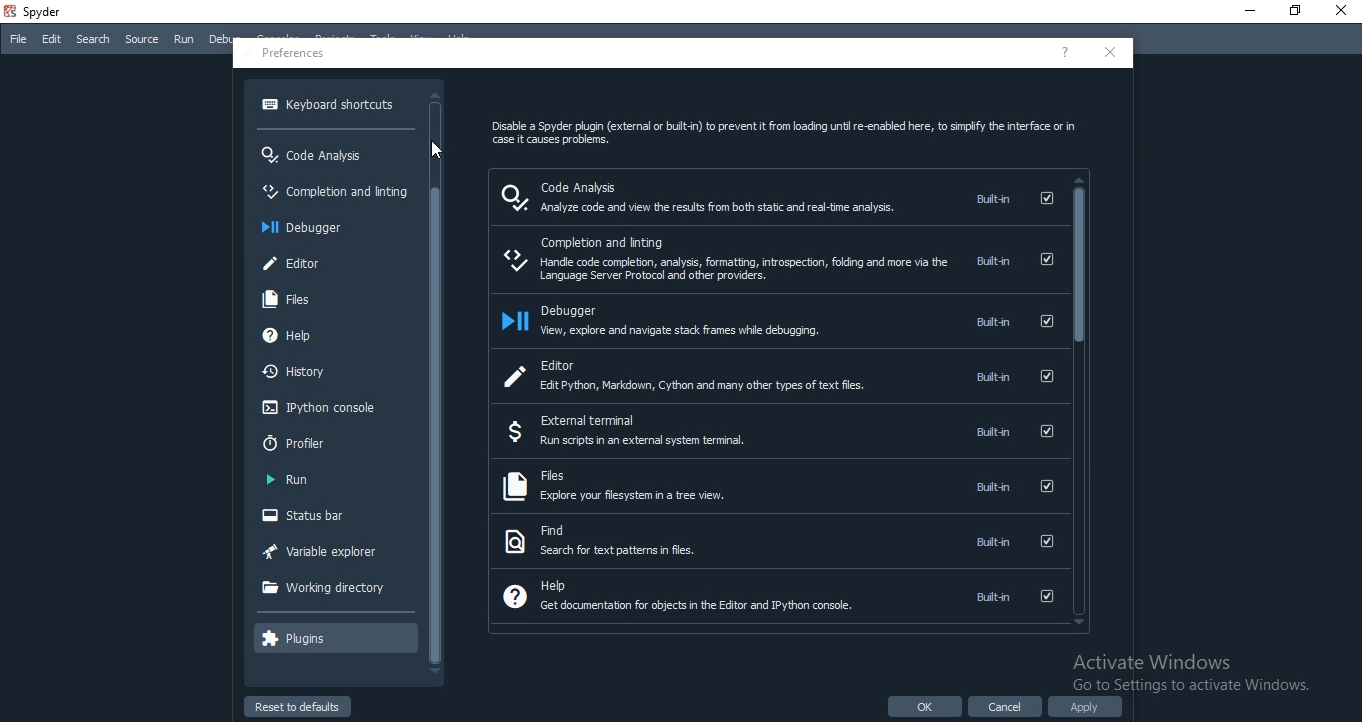  Describe the element at coordinates (184, 40) in the screenshot. I see `Run` at that location.